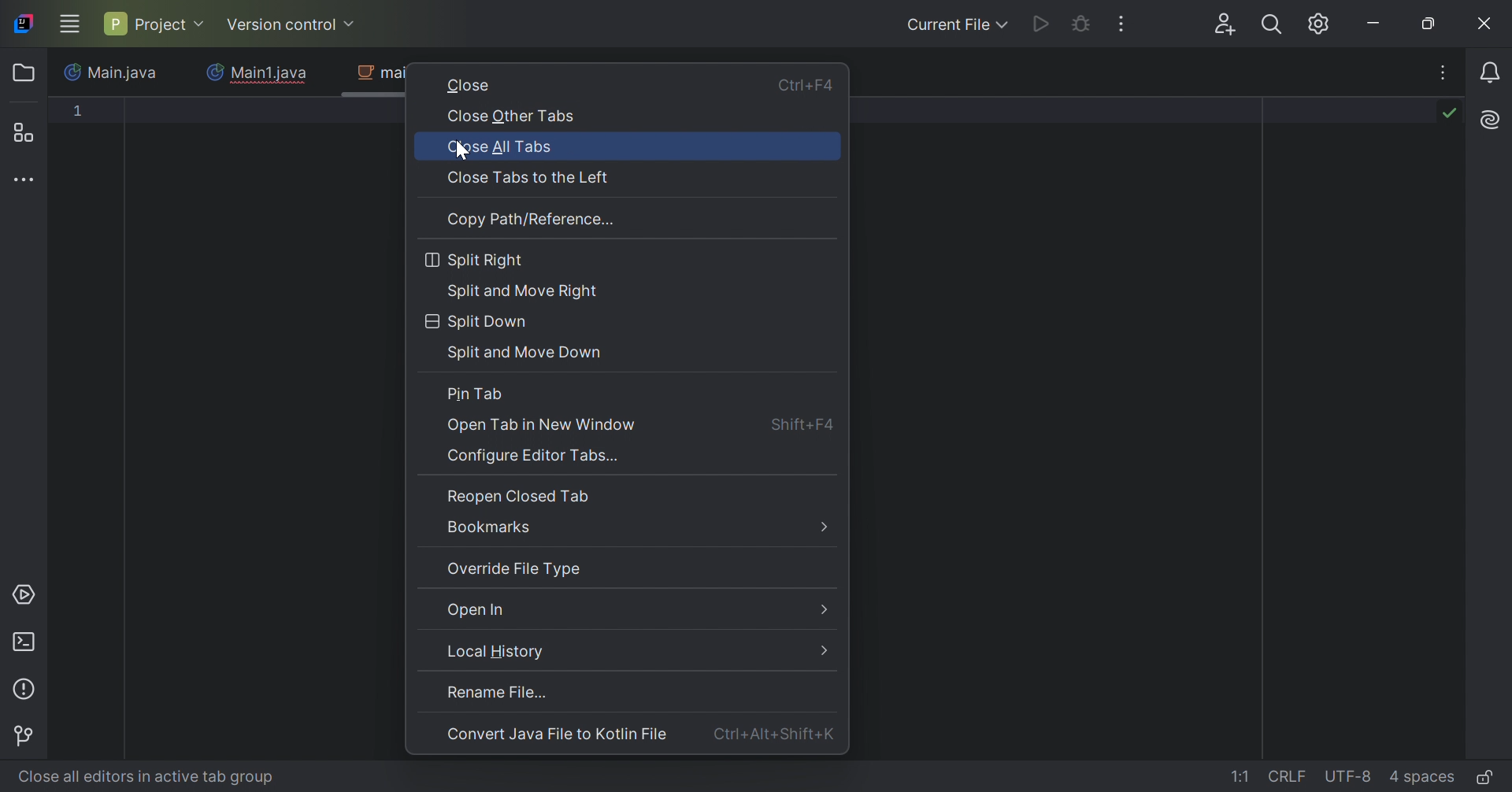 The width and height of the screenshot is (1512, 792). Describe the element at coordinates (542, 426) in the screenshot. I see `Open tab in New Window` at that location.